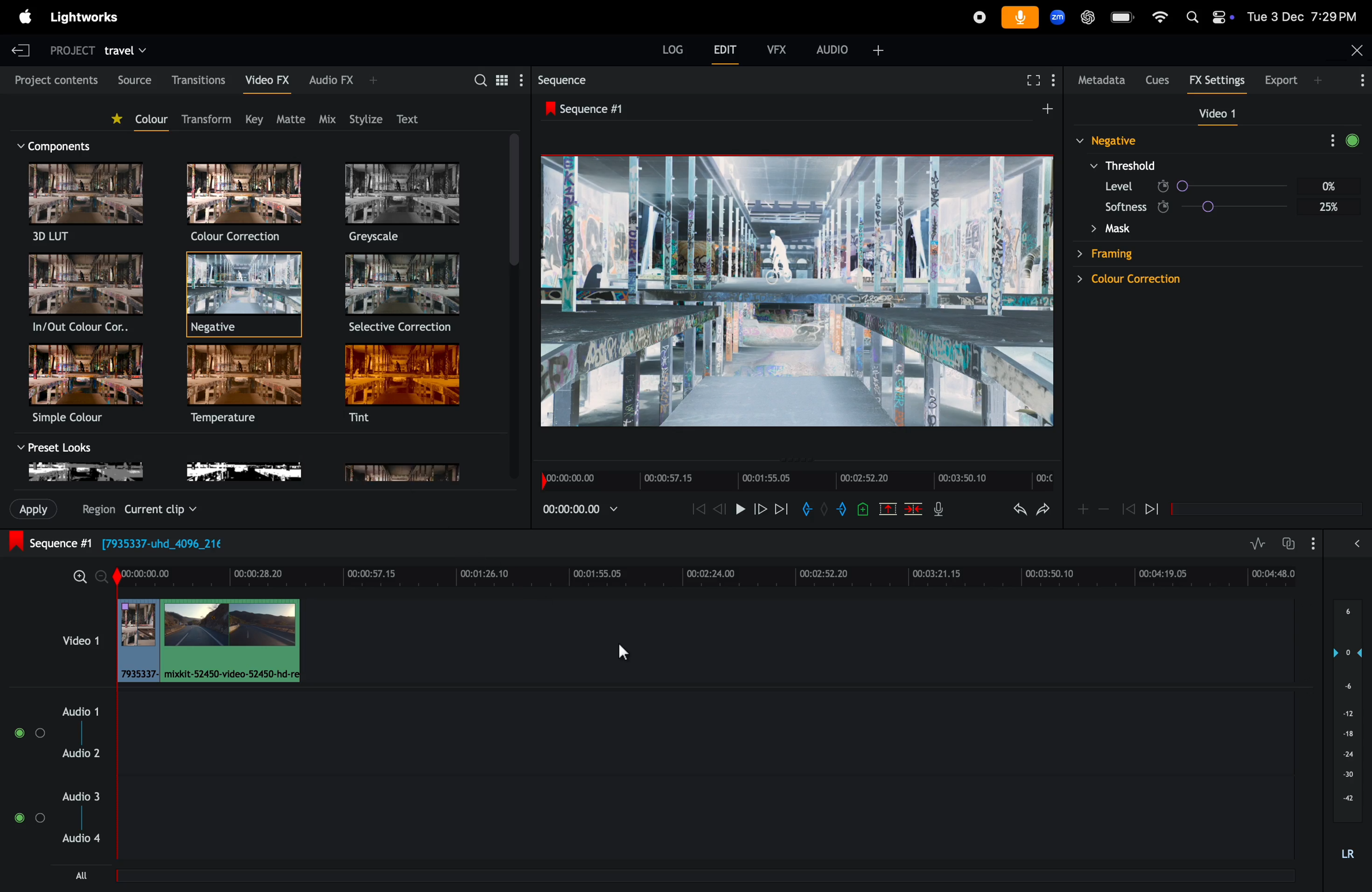 The image size is (1372, 892). I want to click on transitions, so click(198, 78).